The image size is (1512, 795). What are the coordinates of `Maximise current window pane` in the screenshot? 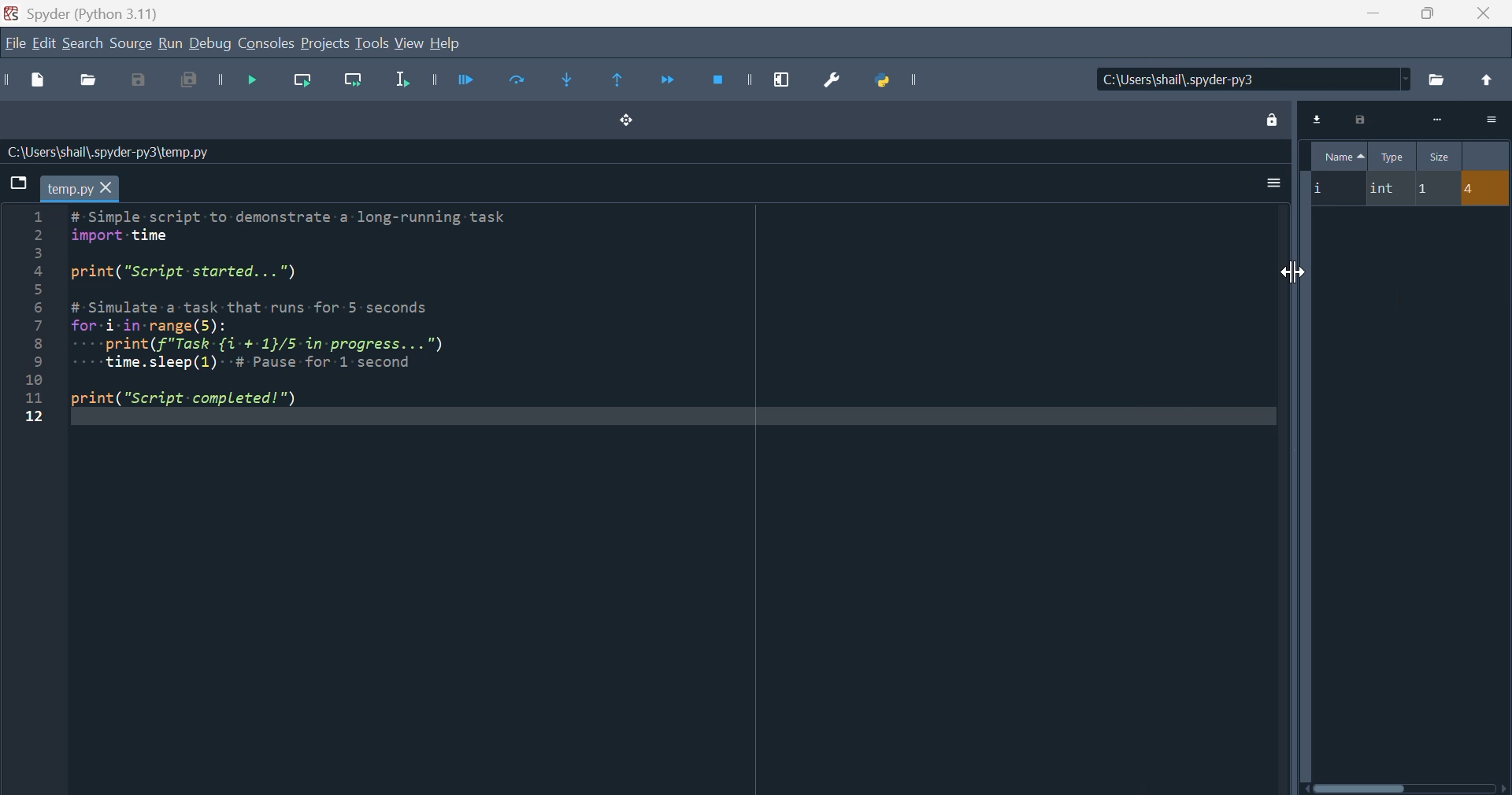 It's located at (787, 79).